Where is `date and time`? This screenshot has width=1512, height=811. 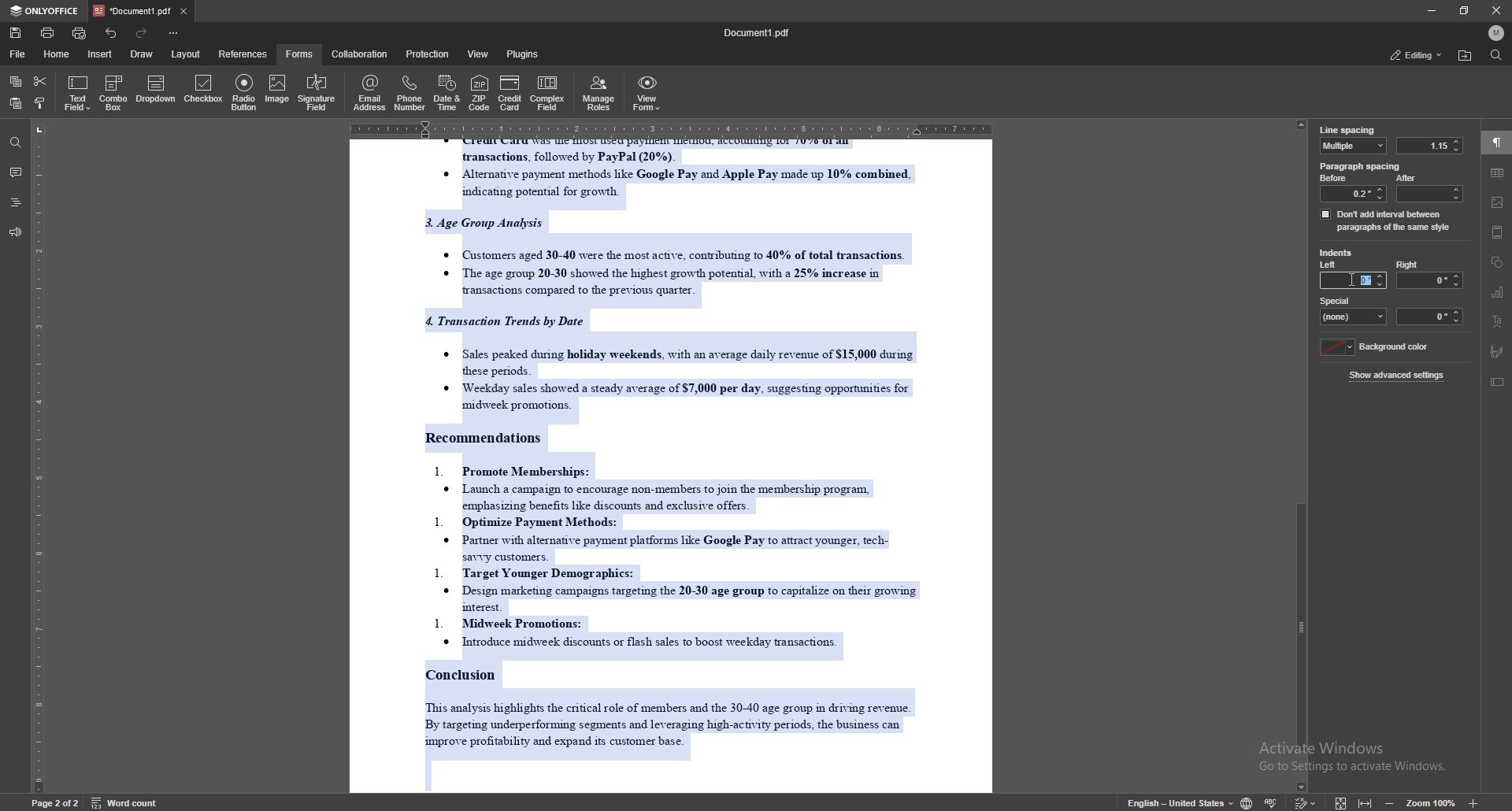
date and time is located at coordinates (447, 93).